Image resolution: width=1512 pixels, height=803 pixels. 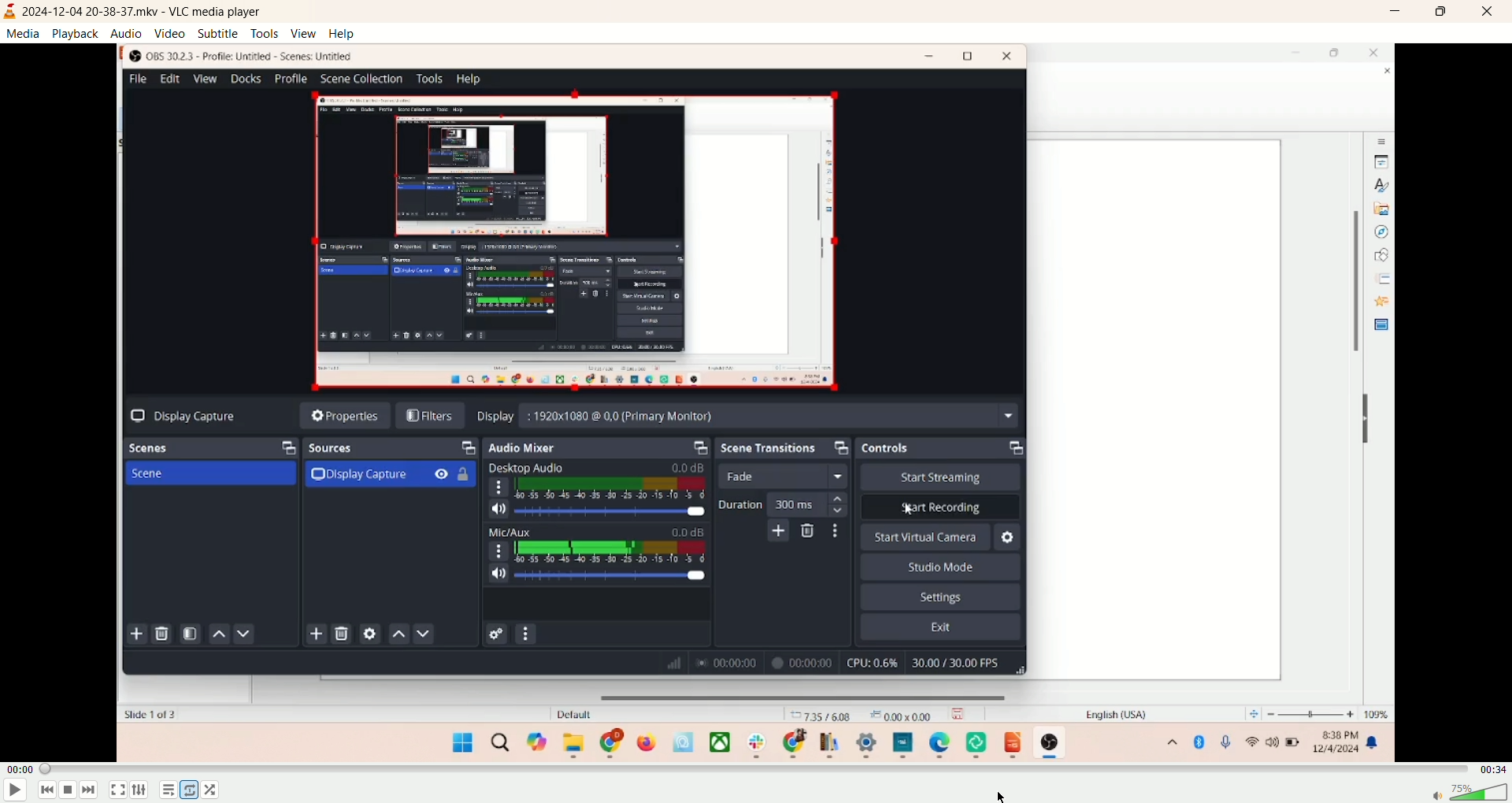 What do you see at coordinates (750, 768) in the screenshot?
I see `progress bar` at bounding box center [750, 768].